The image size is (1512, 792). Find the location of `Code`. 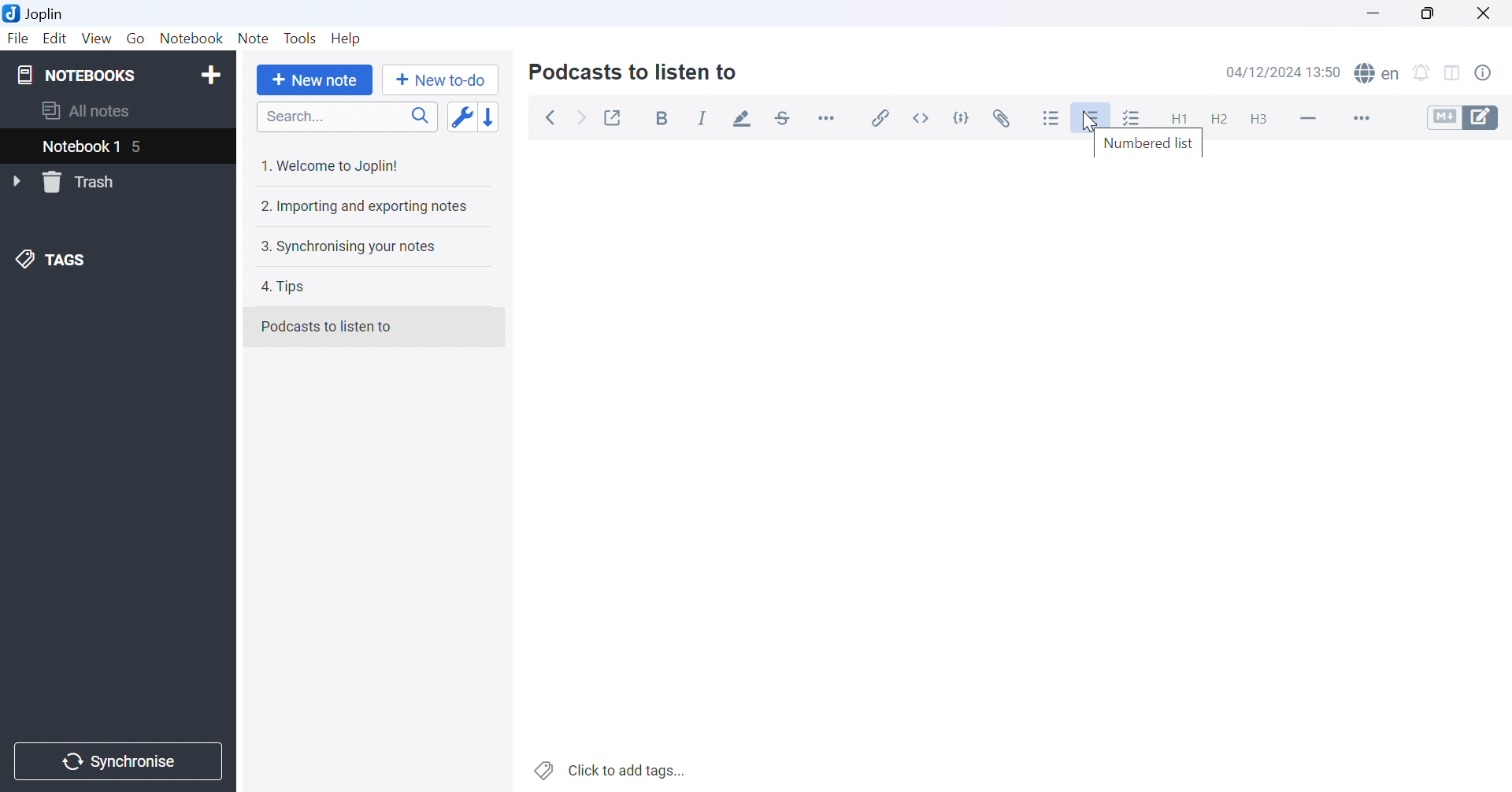

Code is located at coordinates (965, 117).